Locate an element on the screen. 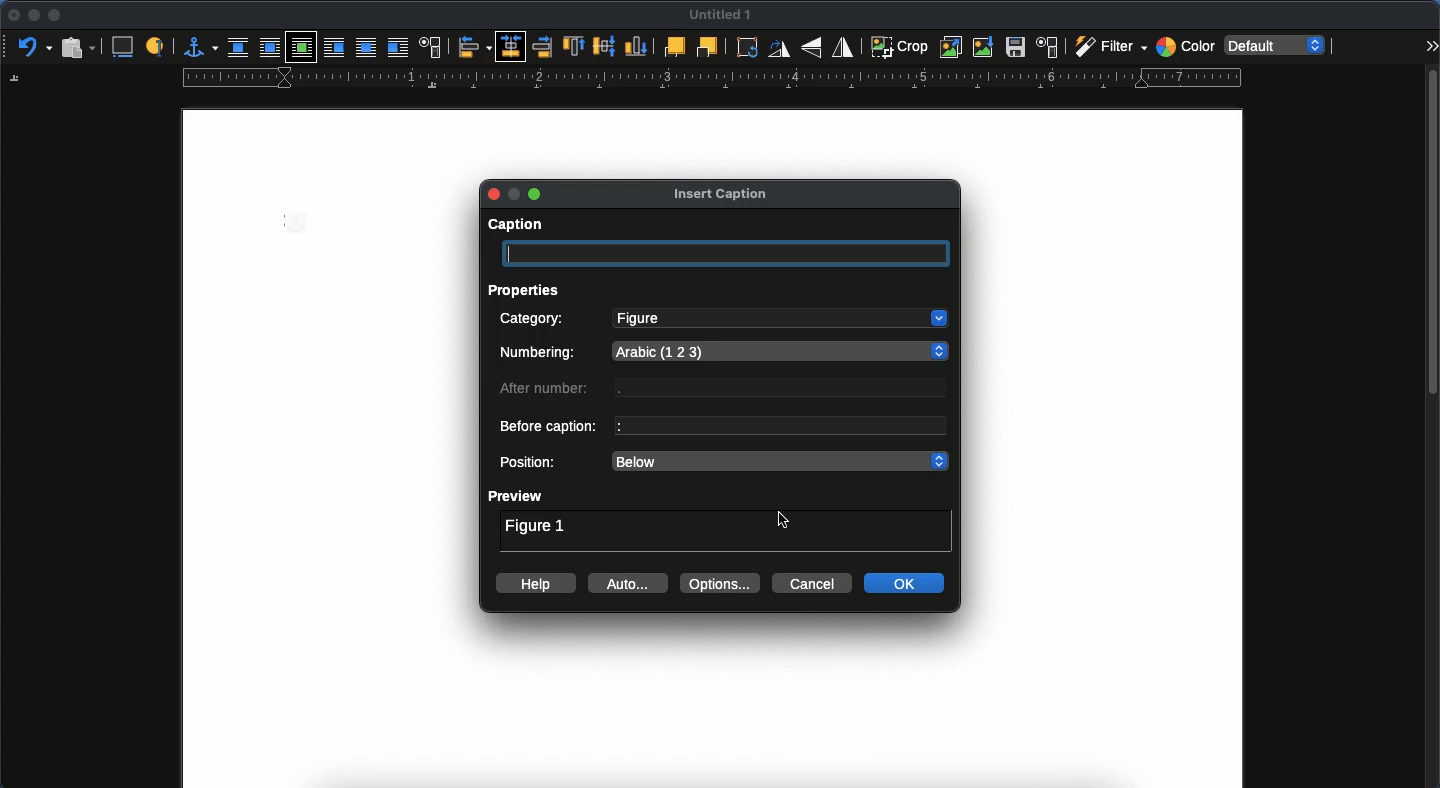  expand is located at coordinates (1431, 45).